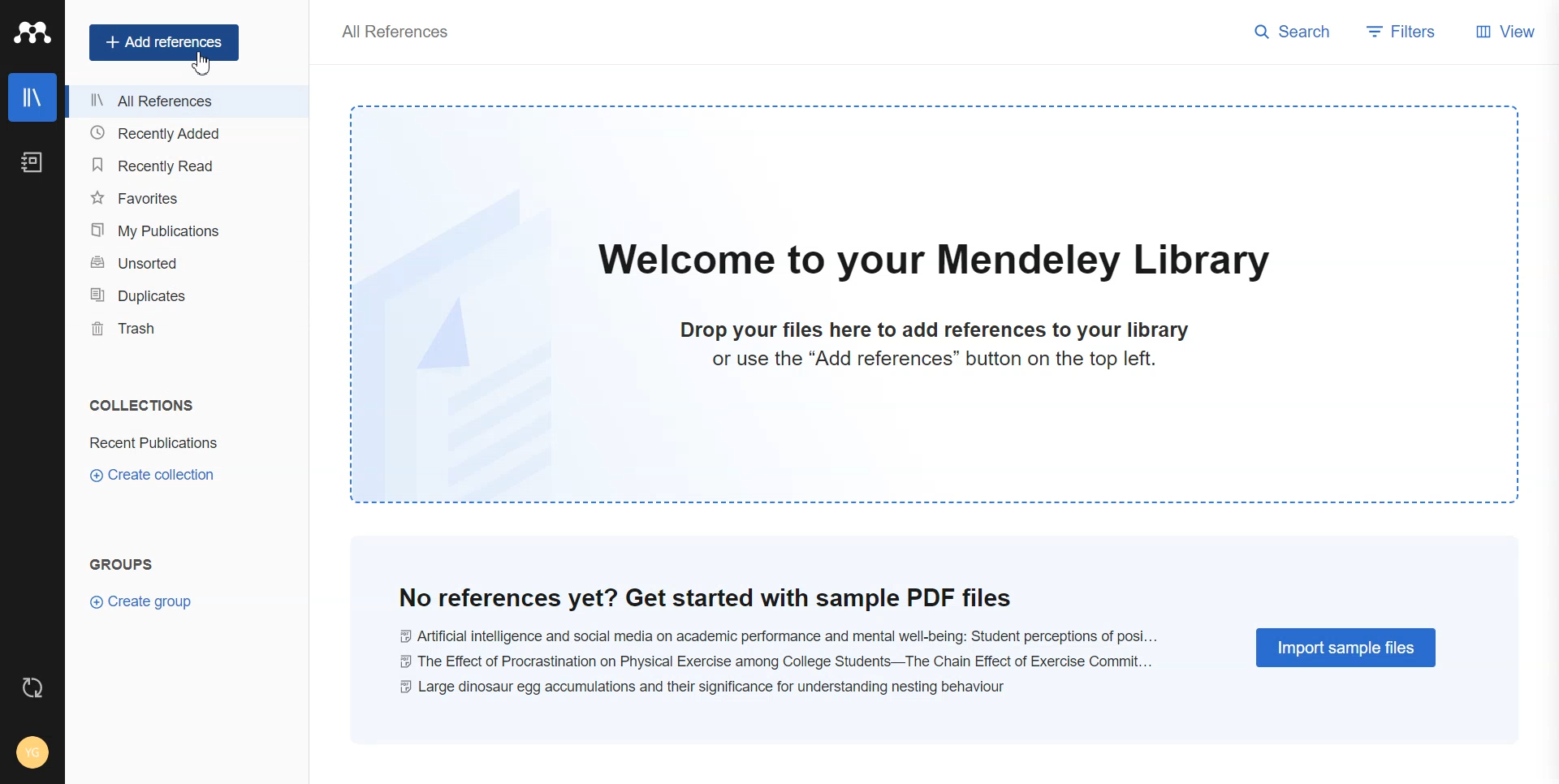 The image size is (1559, 784). Describe the element at coordinates (143, 405) in the screenshot. I see `COLLECTIONS` at that location.